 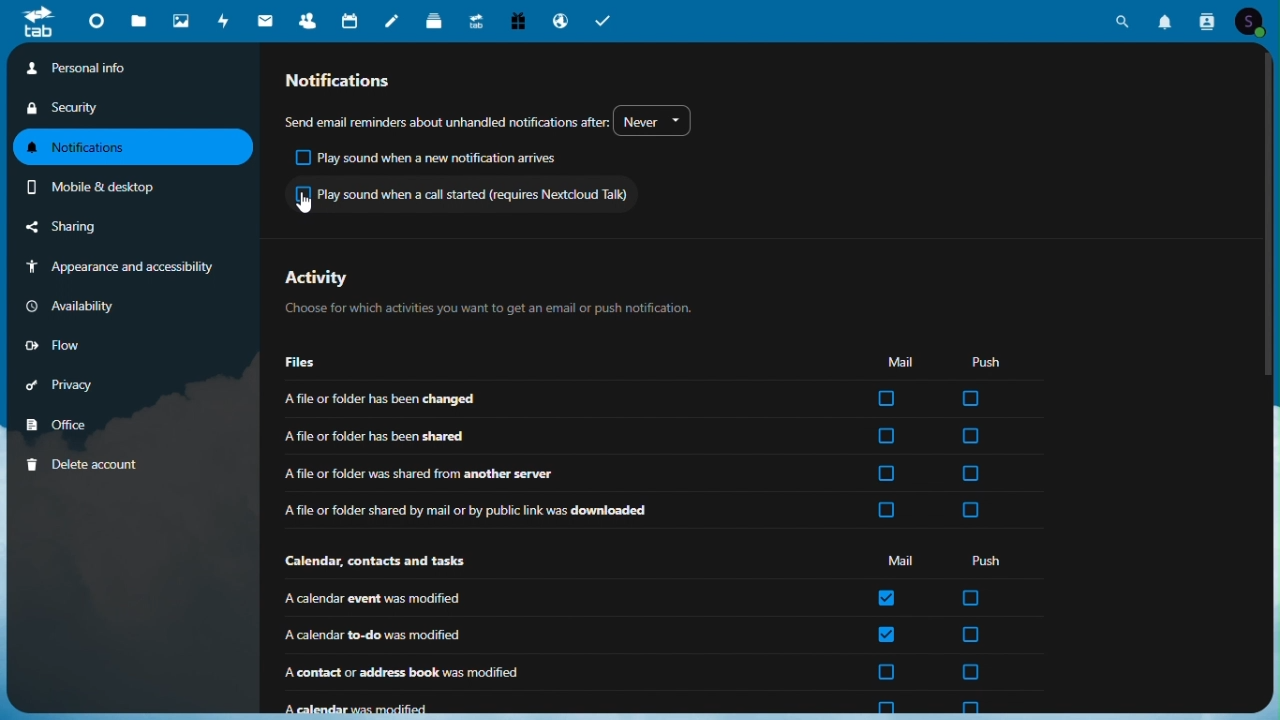 What do you see at coordinates (885, 437) in the screenshot?
I see `check box` at bounding box center [885, 437].